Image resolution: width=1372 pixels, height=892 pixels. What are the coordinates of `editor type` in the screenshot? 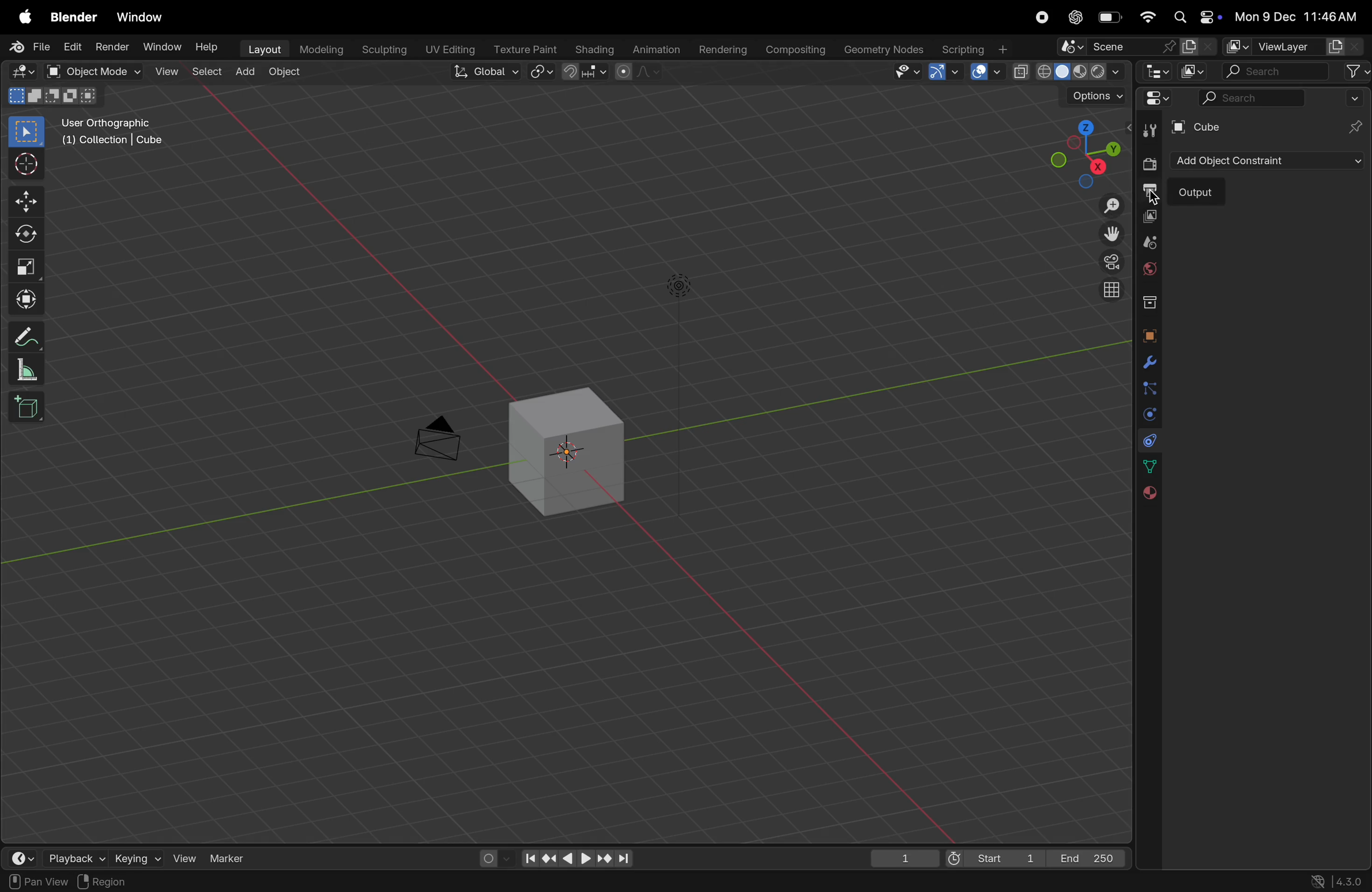 It's located at (1156, 71).